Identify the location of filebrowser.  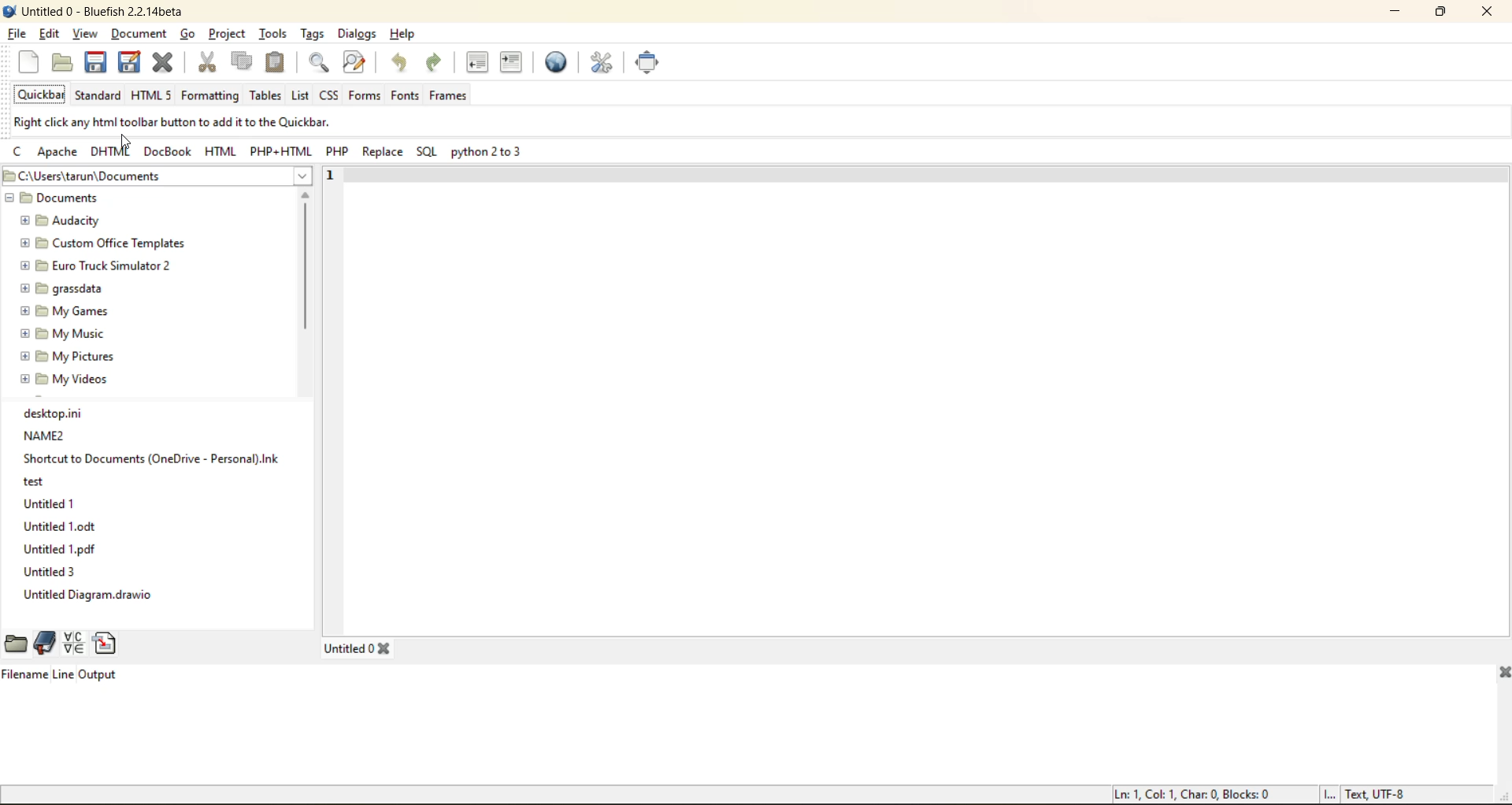
(14, 639).